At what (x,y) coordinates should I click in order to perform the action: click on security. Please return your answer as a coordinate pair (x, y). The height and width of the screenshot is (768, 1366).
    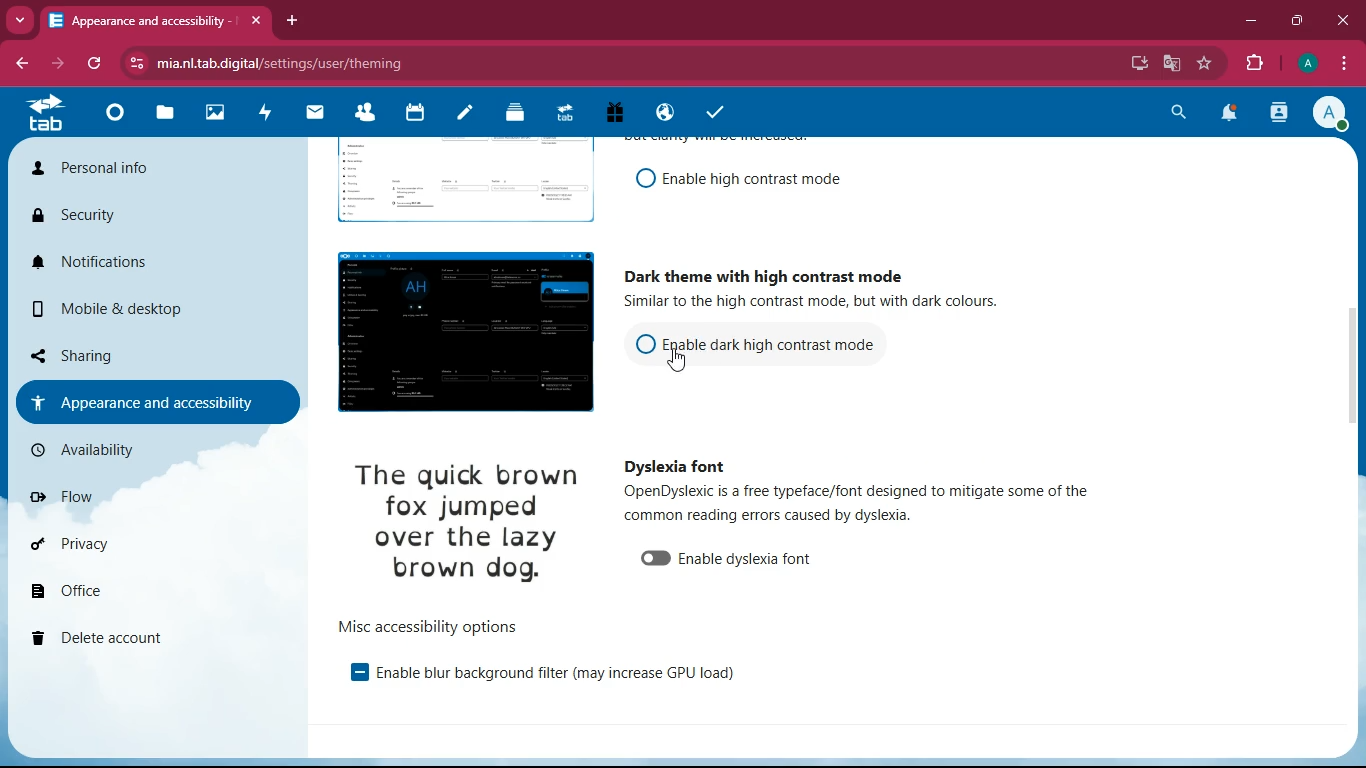
    Looking at the image, I should click on (136, 216).